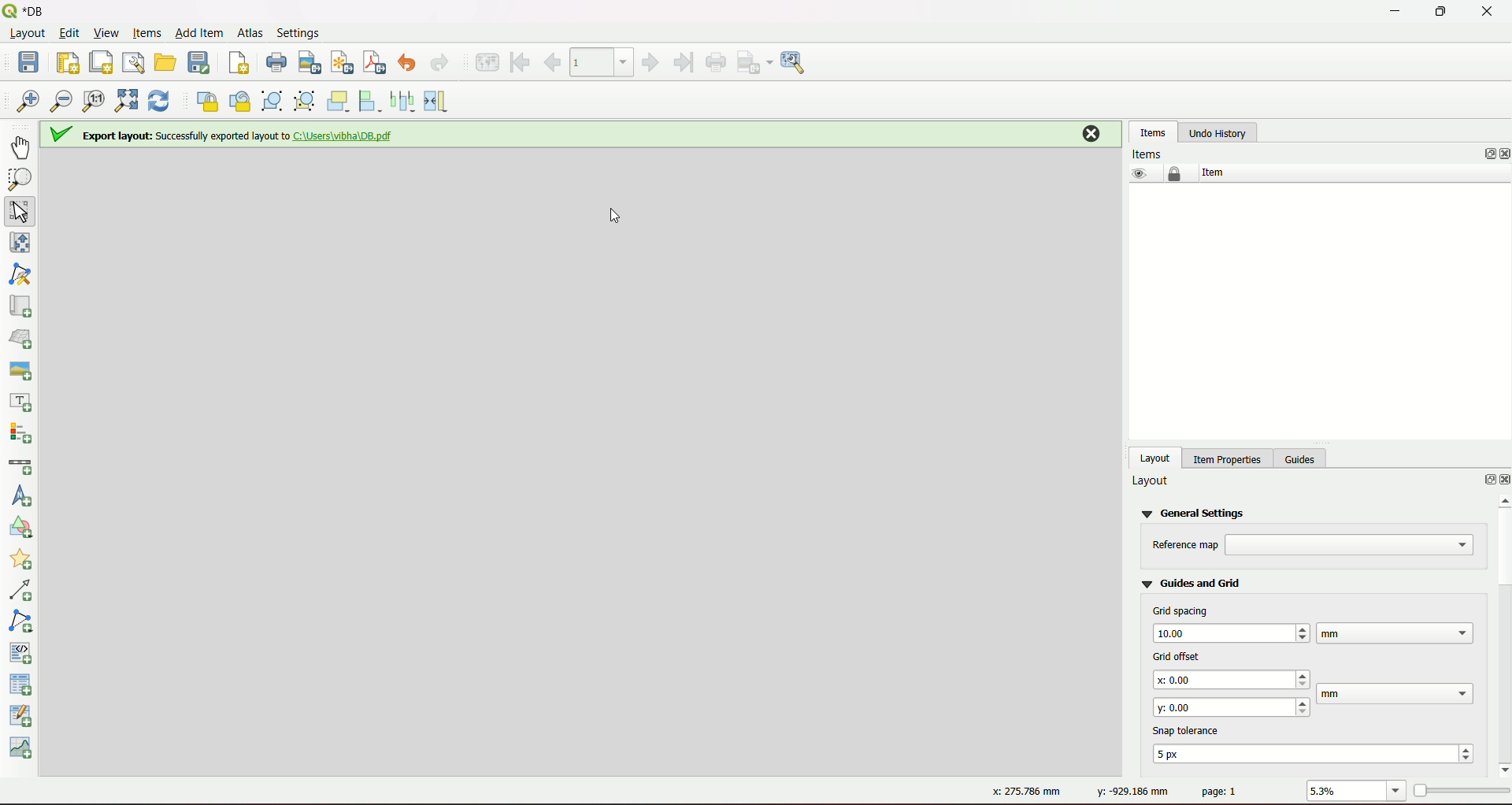  What do you see at coordinates (439, 101) in the screenshot?
I see `resize item width` at bounding box center [439, 101].